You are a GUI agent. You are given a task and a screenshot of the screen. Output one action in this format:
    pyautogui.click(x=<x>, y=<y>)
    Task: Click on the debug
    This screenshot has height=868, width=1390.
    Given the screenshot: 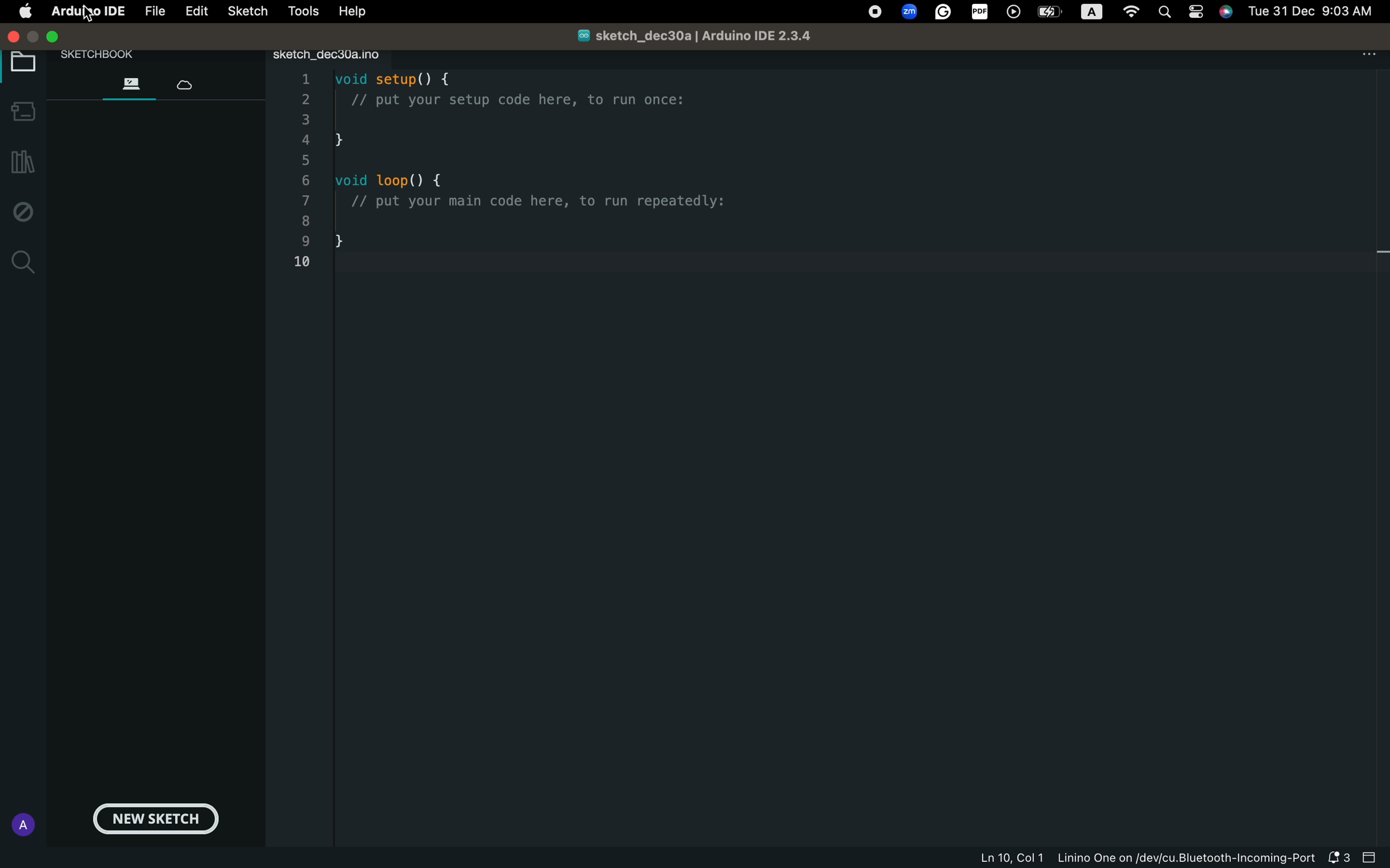 What is the action you would take?
    pyautogui.click(x=20, y=211)
    